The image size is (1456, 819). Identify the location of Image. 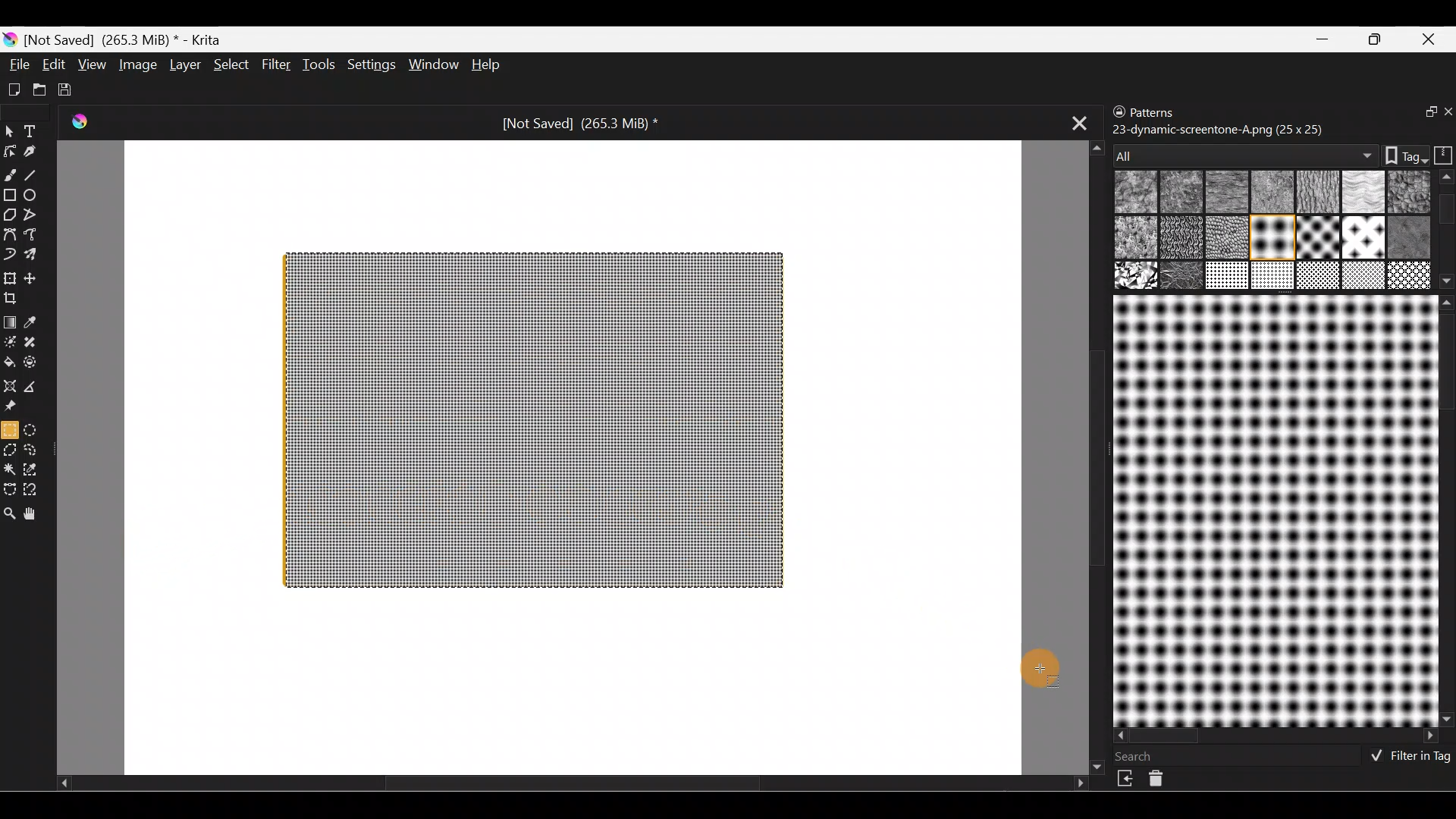
(136, 64).